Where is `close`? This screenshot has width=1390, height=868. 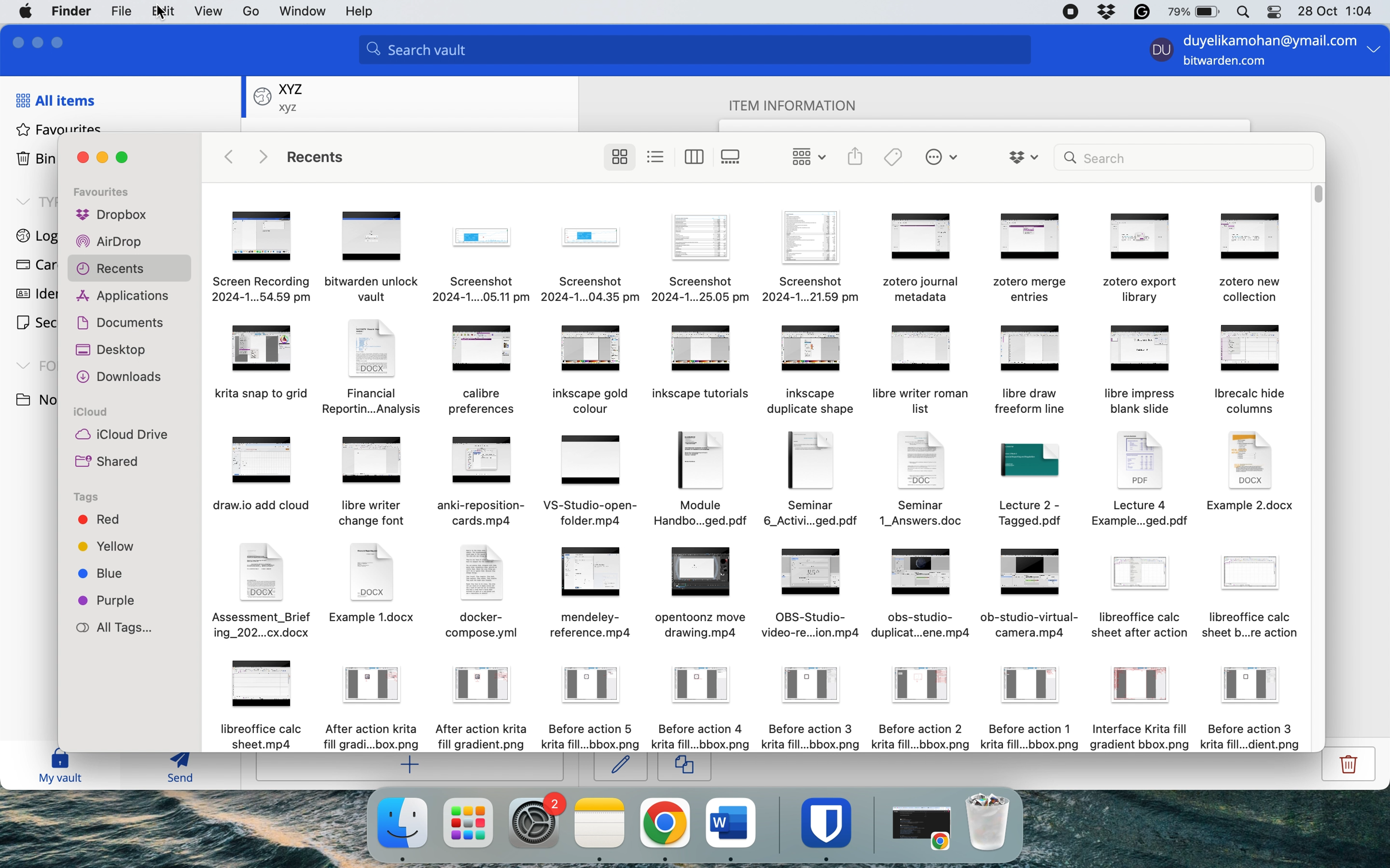
close is located at coordinates (15, 41).